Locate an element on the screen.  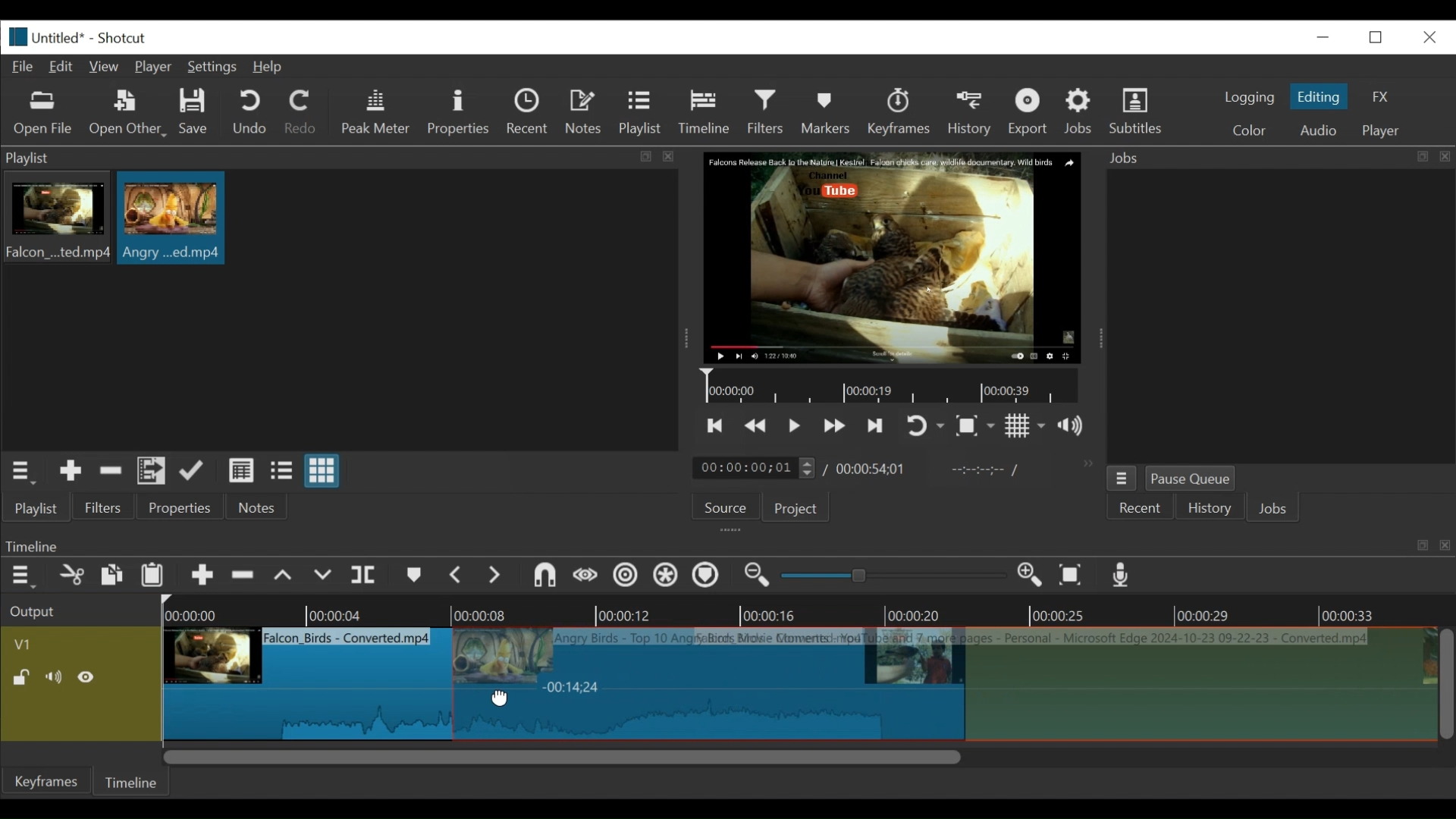
clip is located at coordinates (706, 682).